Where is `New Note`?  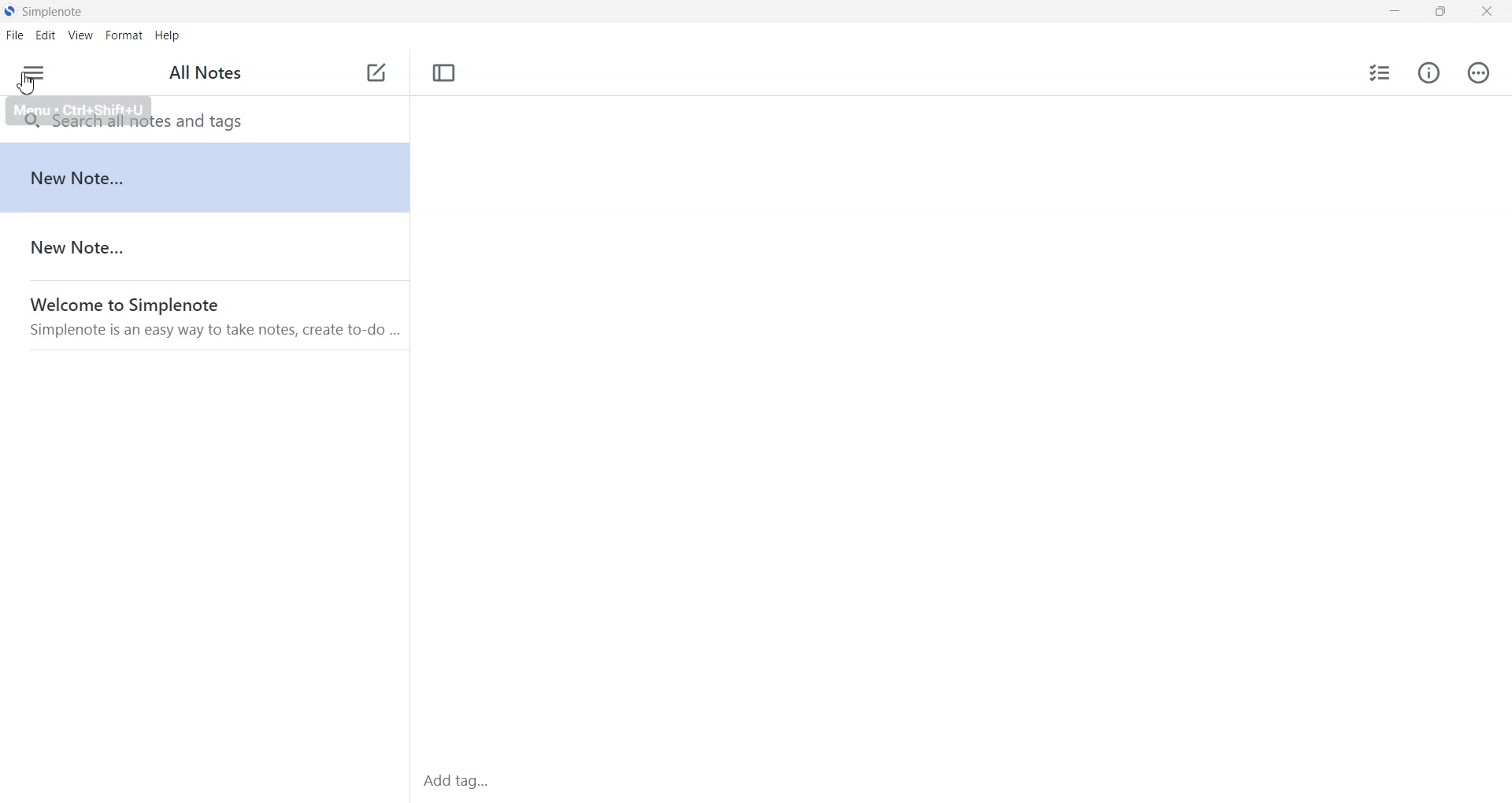 New Note is located at coordinates (377, 75).